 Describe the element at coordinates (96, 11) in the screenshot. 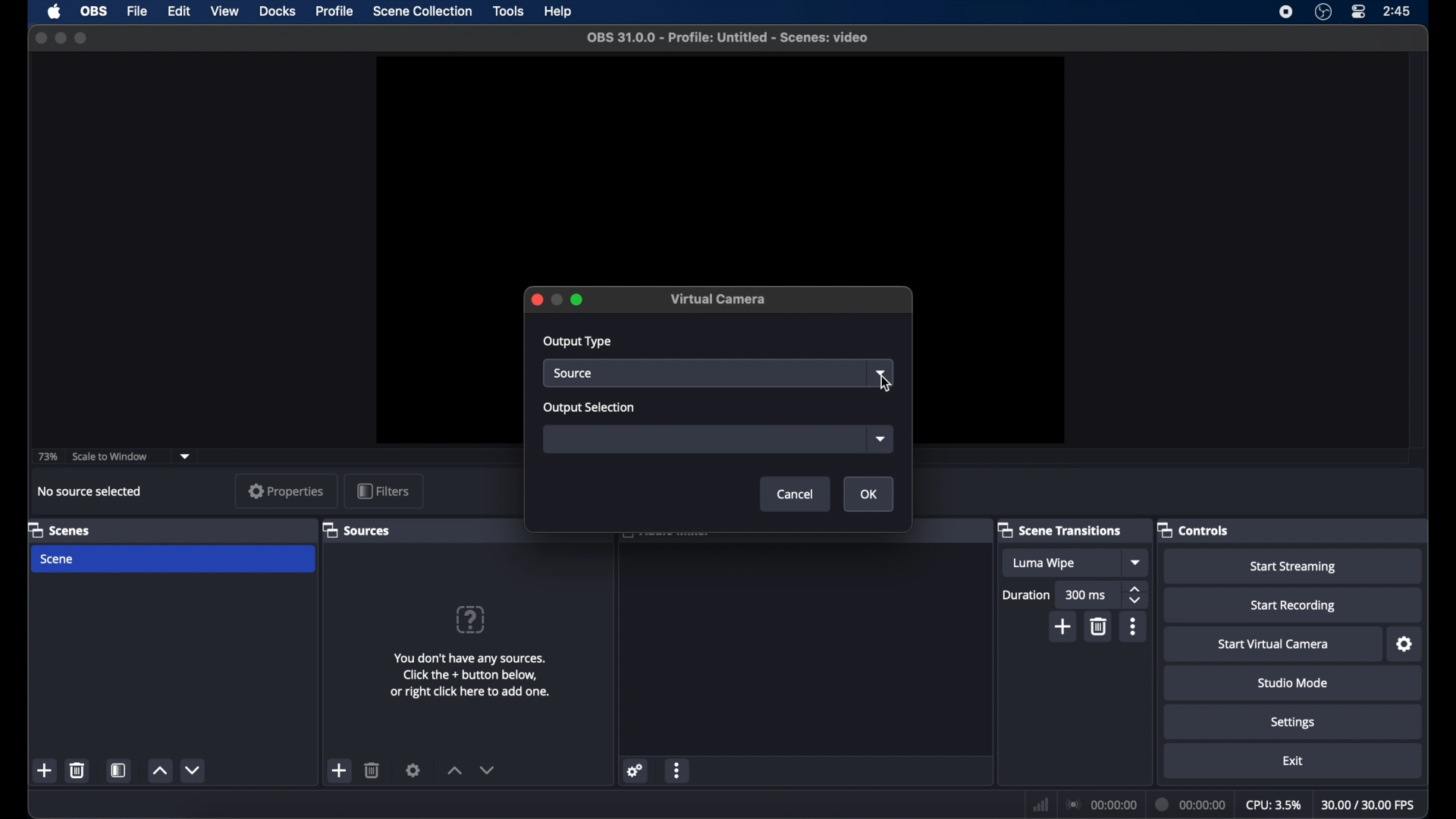

I see `obs` at that location.